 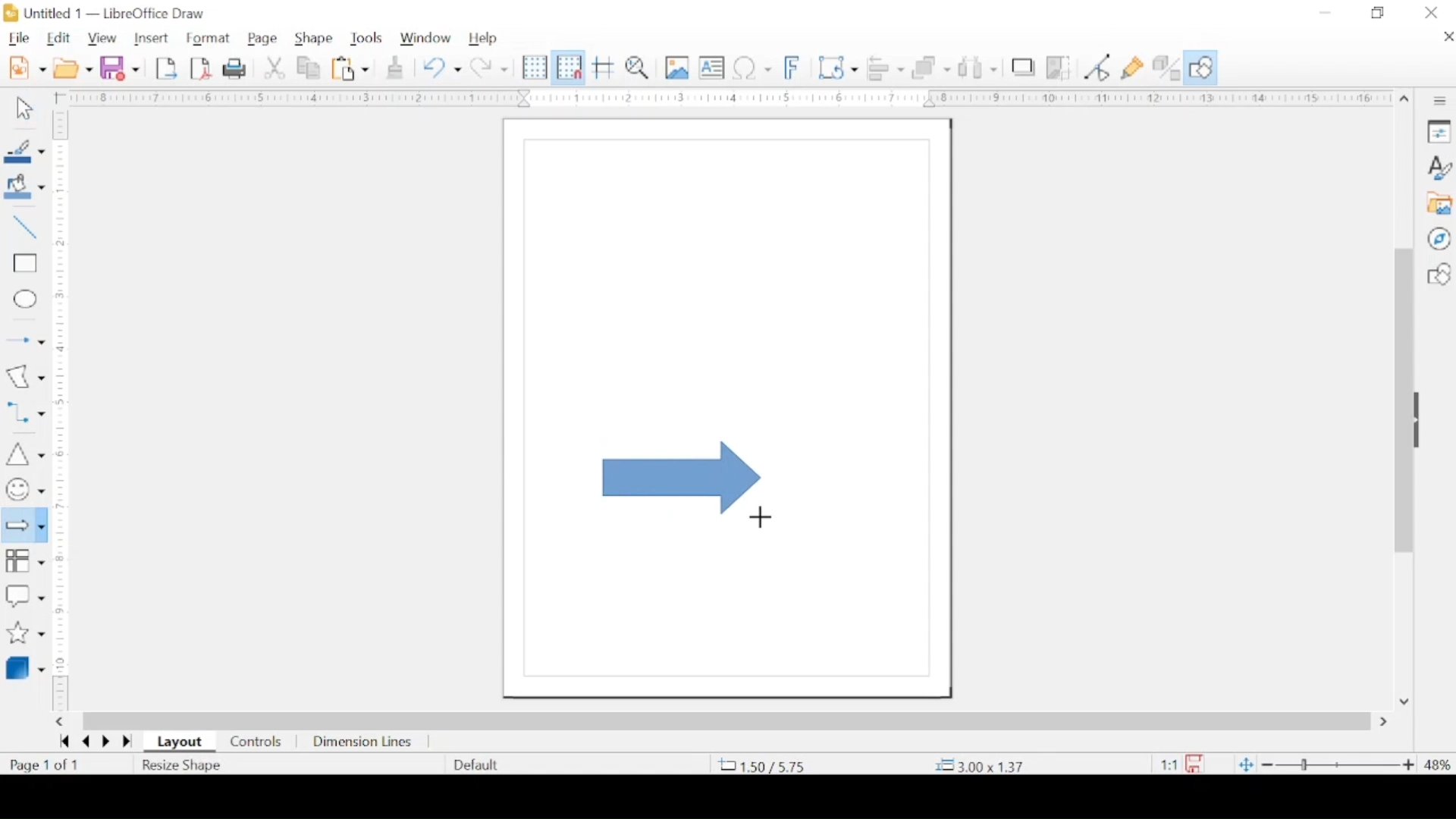 I want to click on helplines while moving, so click(x=604, y=67).